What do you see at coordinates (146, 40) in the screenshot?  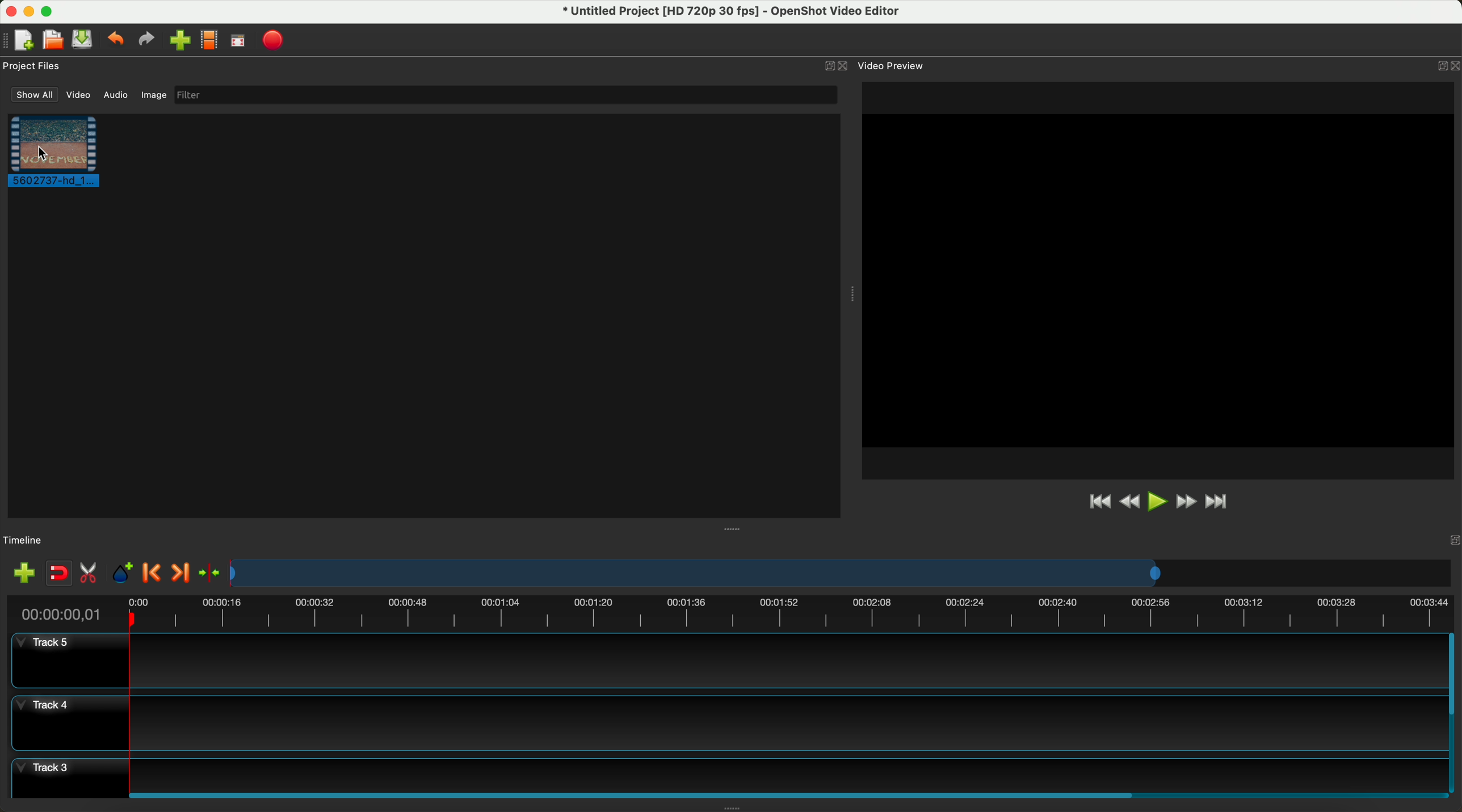 I see `redo` at bounding box center [146, 40].